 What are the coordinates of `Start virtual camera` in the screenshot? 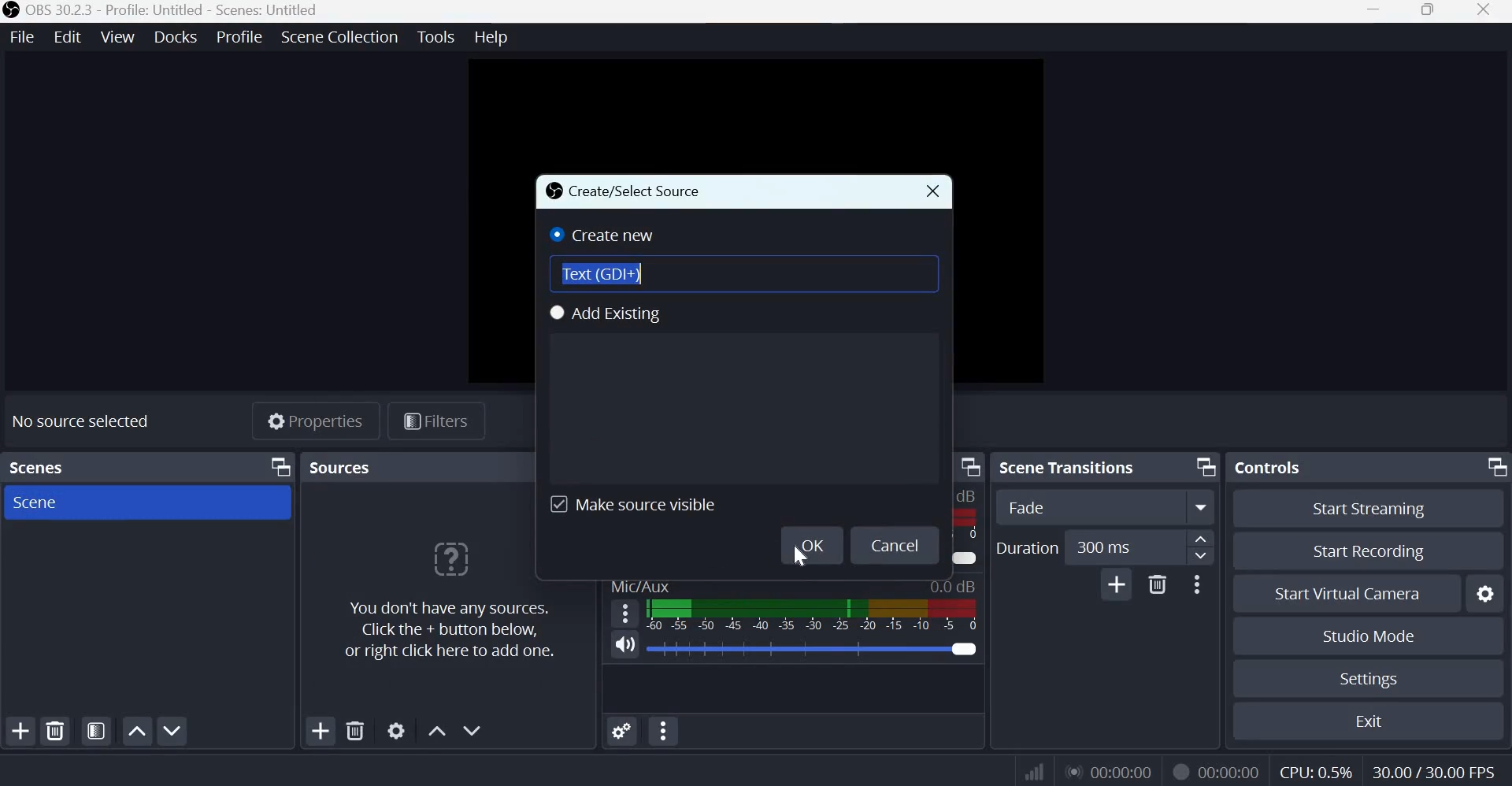 It's located at (1354, 594).